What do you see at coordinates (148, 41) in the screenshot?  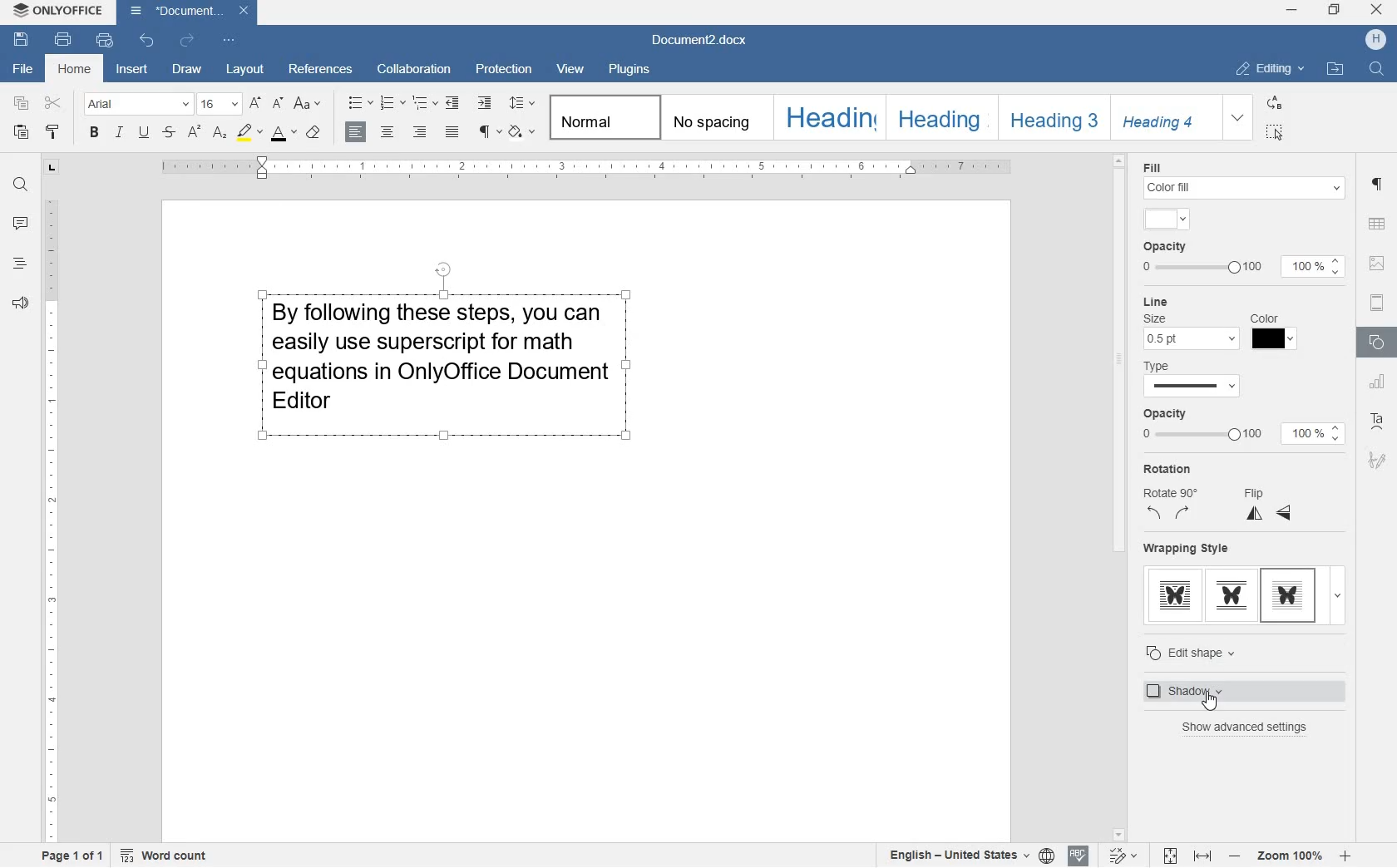 I see `undo` at bounding box center [148, 41].